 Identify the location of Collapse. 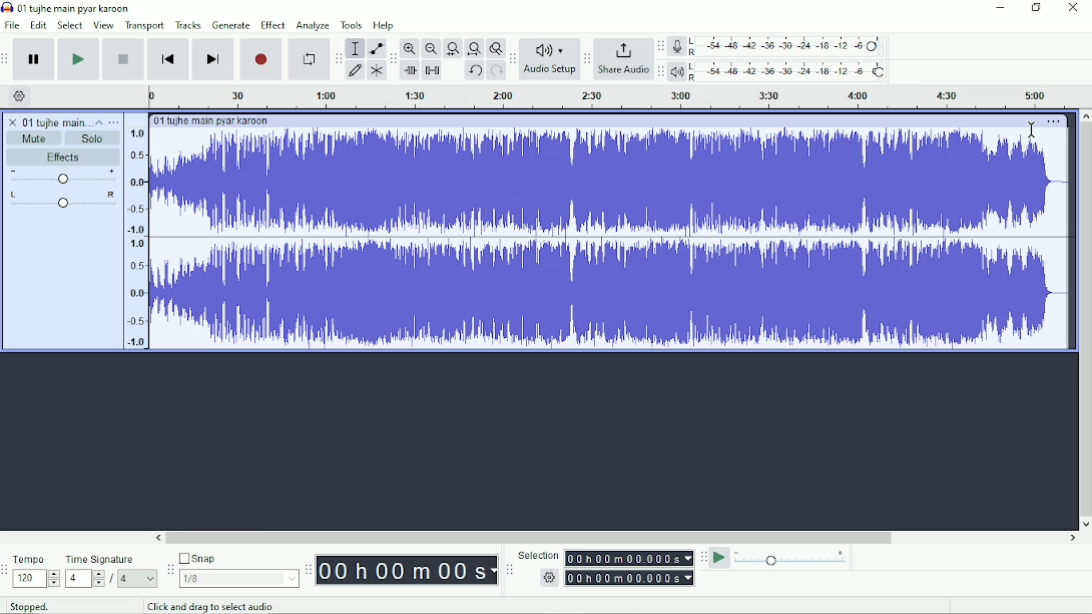
(101, 123).